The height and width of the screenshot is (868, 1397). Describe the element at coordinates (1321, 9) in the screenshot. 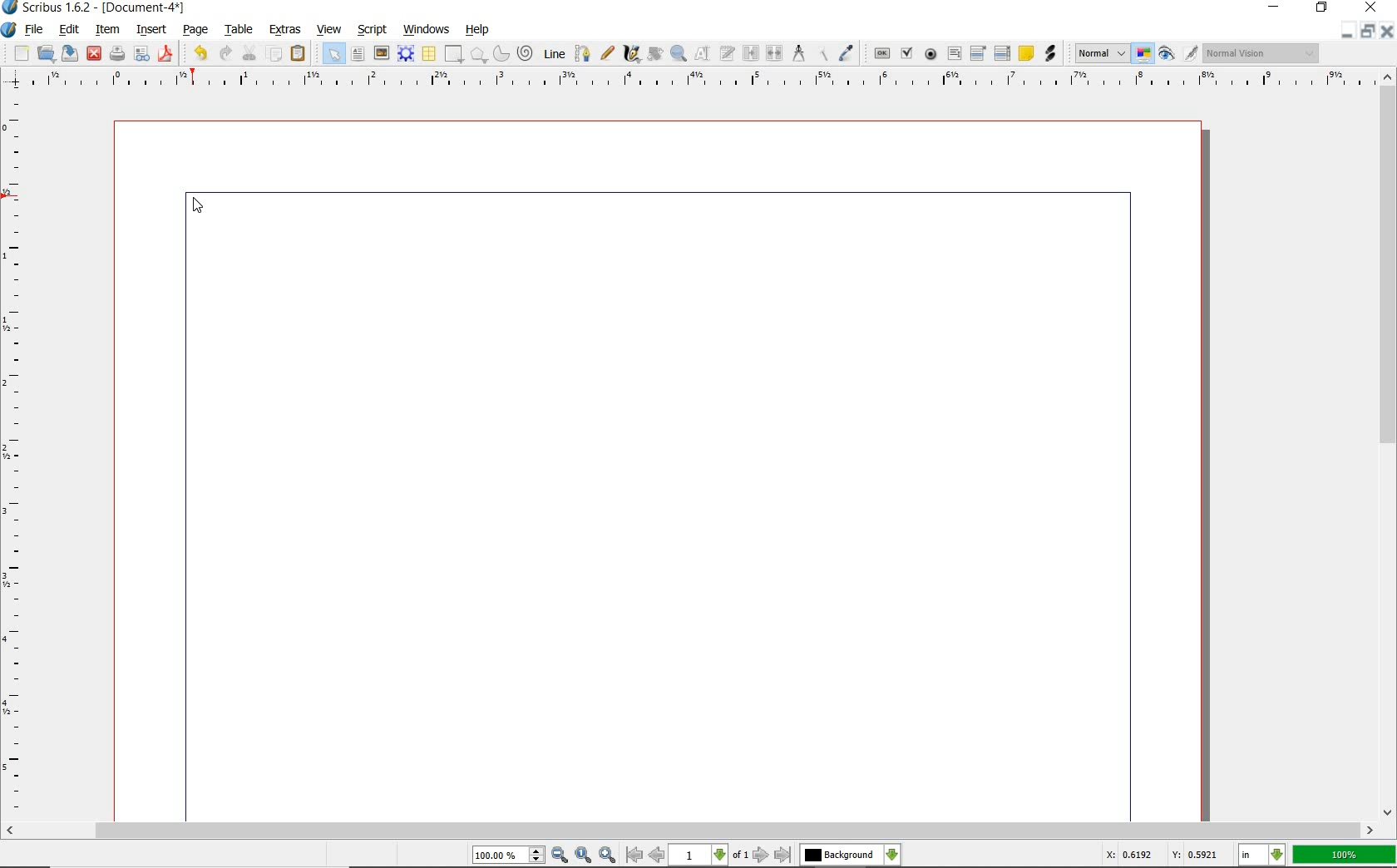

I see `restore` at that location.